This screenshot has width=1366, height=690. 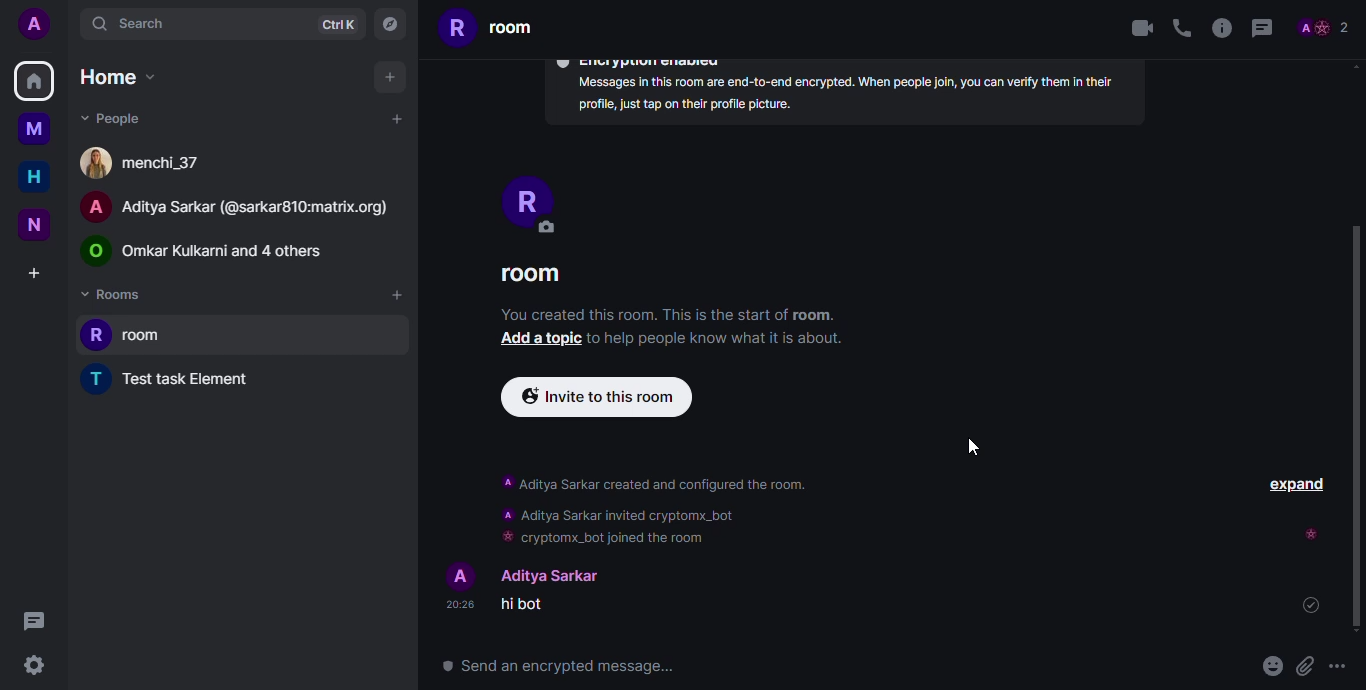 What do you see at coordinates (613, 575) in the screenshot?
I see `Aditya Sarkar` at bounding box center [613, 575].